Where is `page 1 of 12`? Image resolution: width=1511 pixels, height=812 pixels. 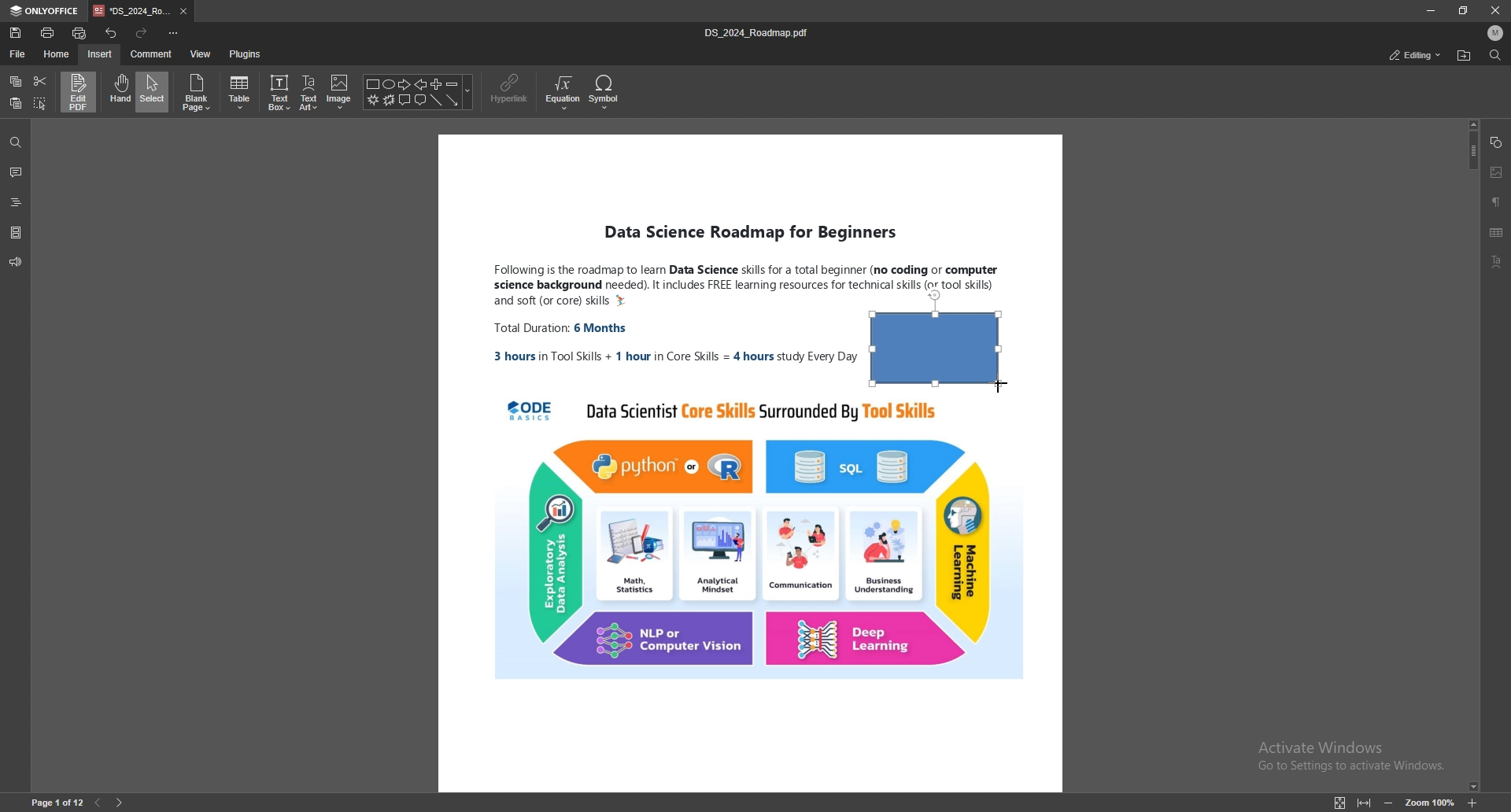 page 1 of 12 is located at coordinates (52, 802).